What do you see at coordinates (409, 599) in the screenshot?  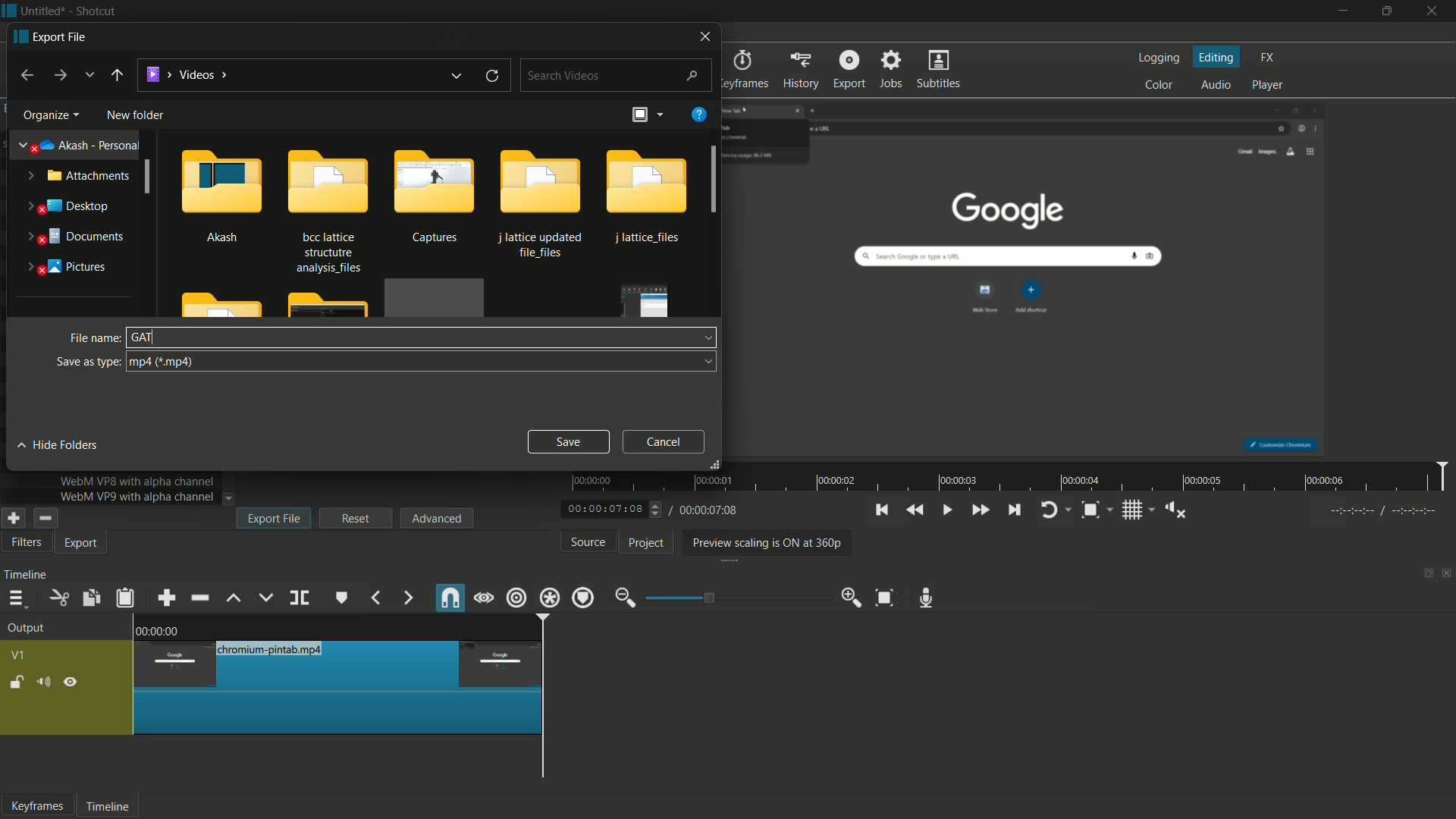 I see `next marker` at bounding box center [409, 599].